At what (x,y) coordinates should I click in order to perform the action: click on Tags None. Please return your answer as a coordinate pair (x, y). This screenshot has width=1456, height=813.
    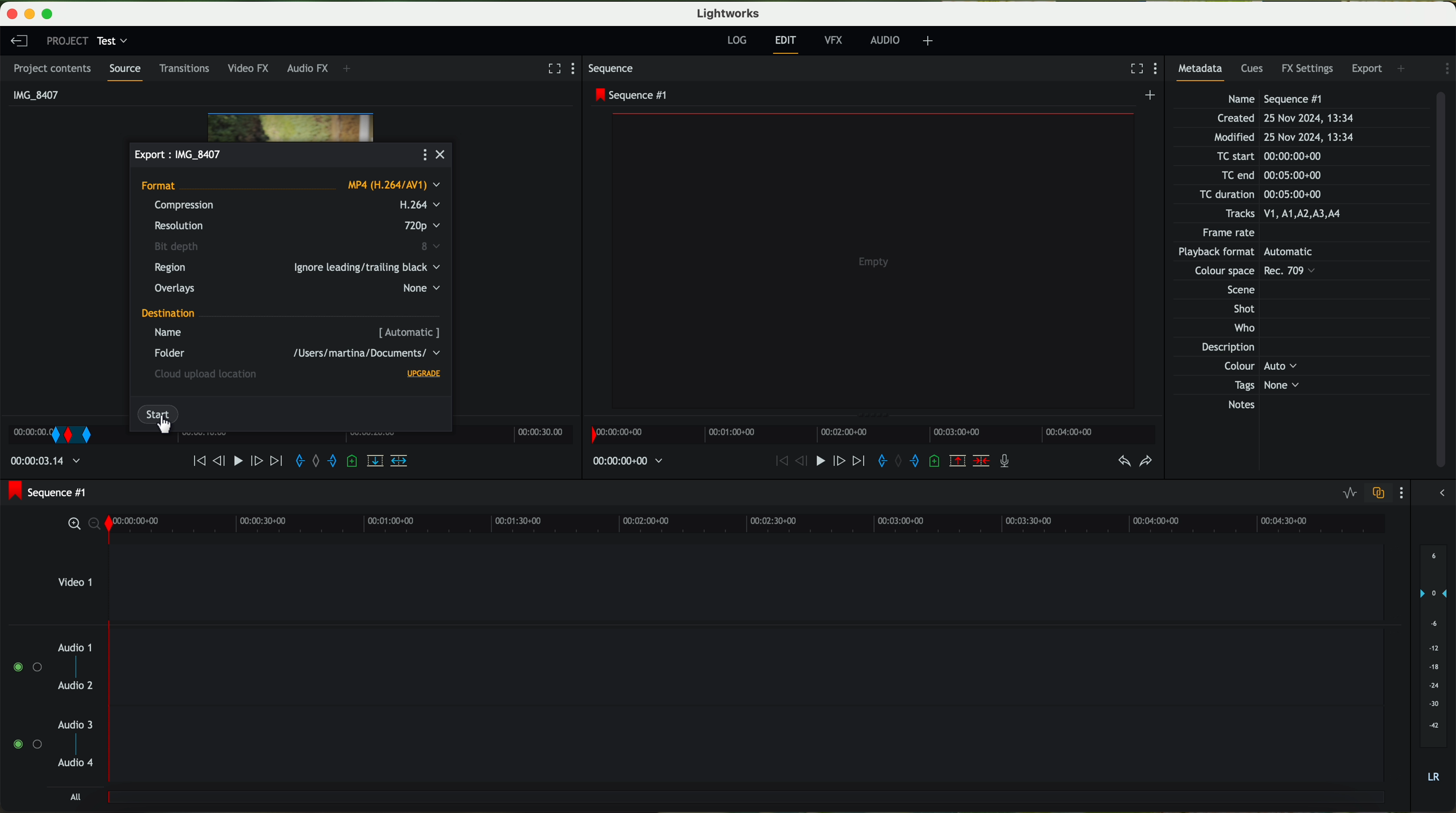
    Looking at the image, I should click on (1263, 385).